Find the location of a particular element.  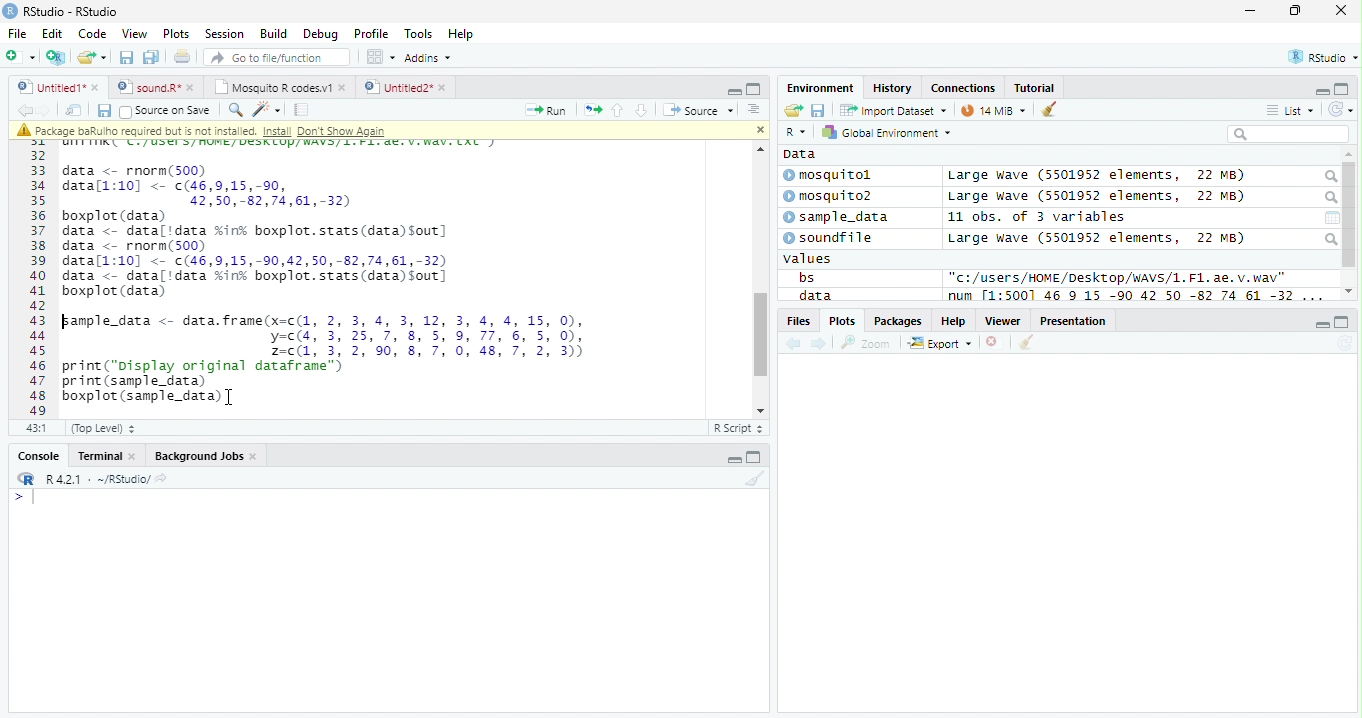

Go forward is located at coordinates (44, 110).